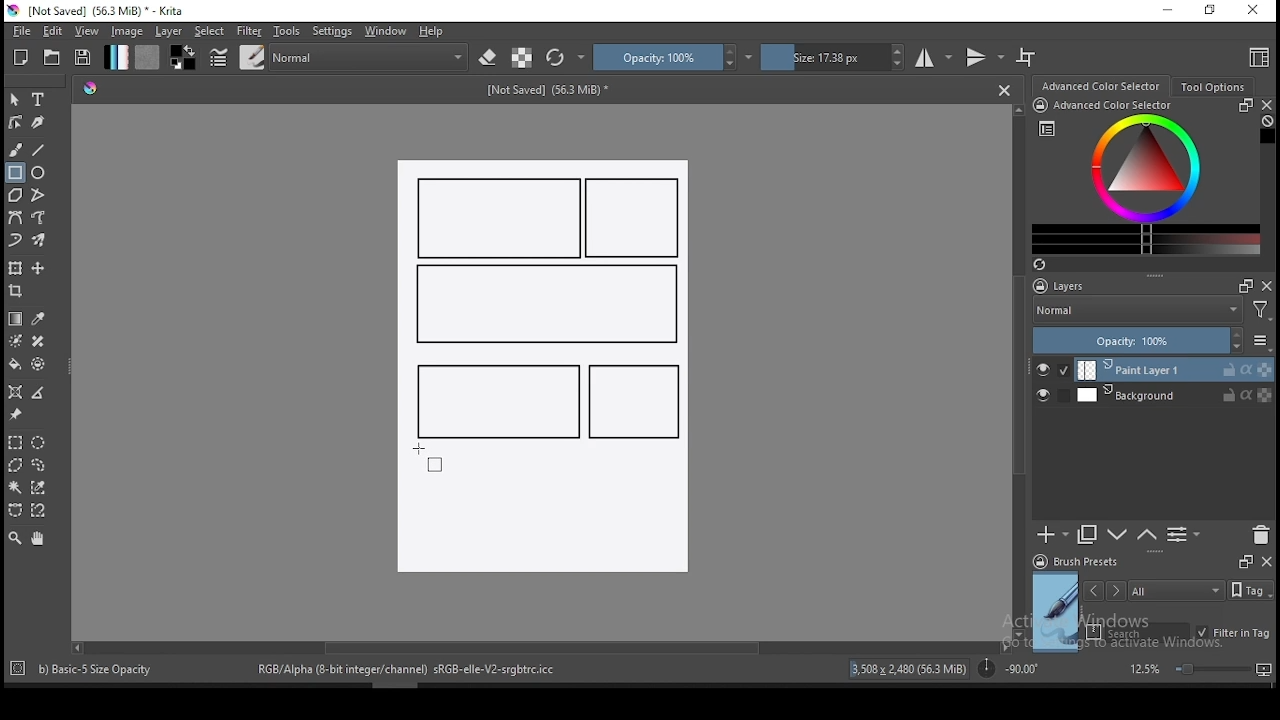 The width and height of the screenshot is (1280, 720). Describe the element at coordinates (1138, 632) in the screenshot. I see `search` at that location.